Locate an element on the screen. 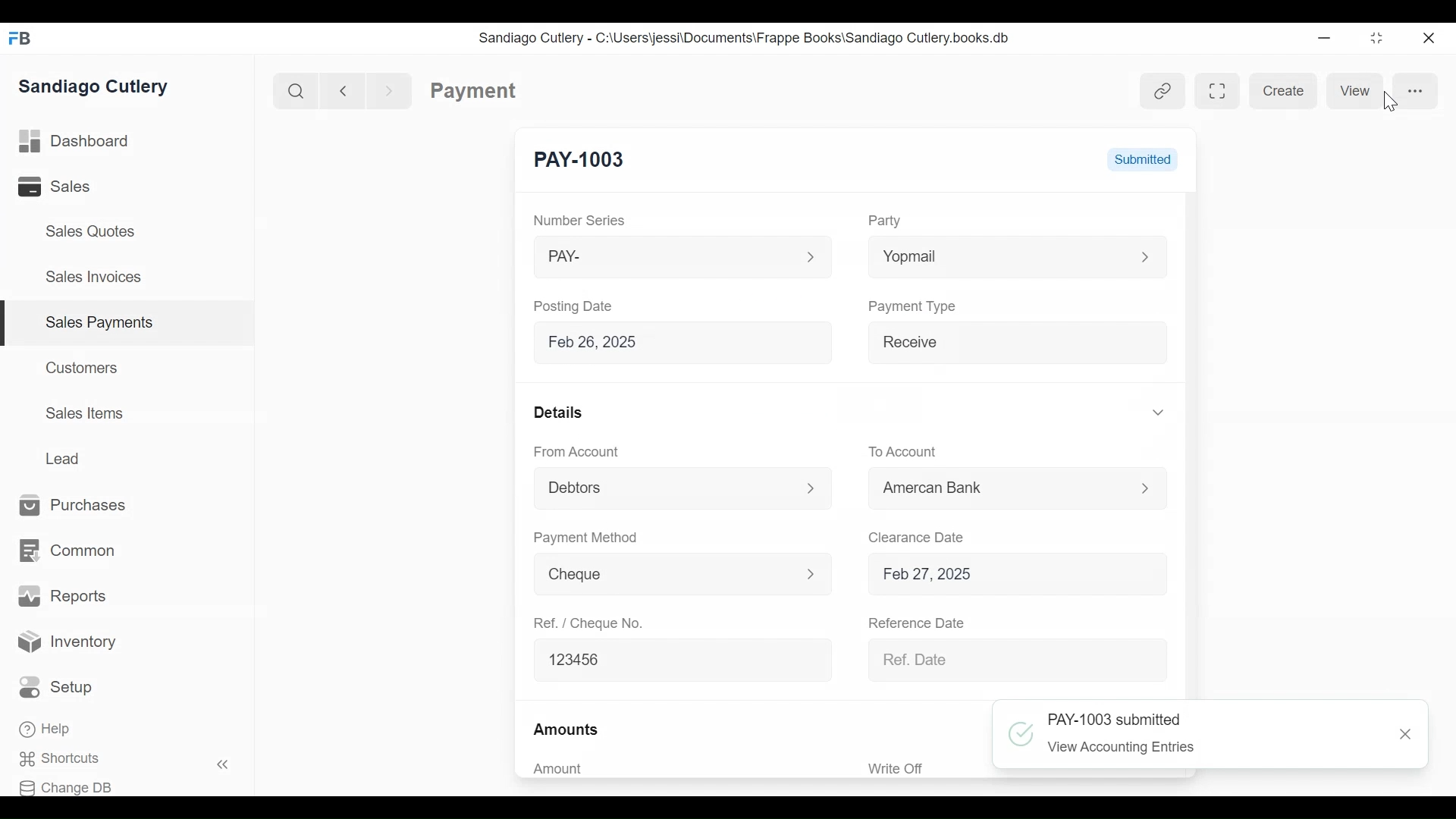 The height and width of the screenshot is (819, 1456). Debtors is located at coordinates (664, 487).